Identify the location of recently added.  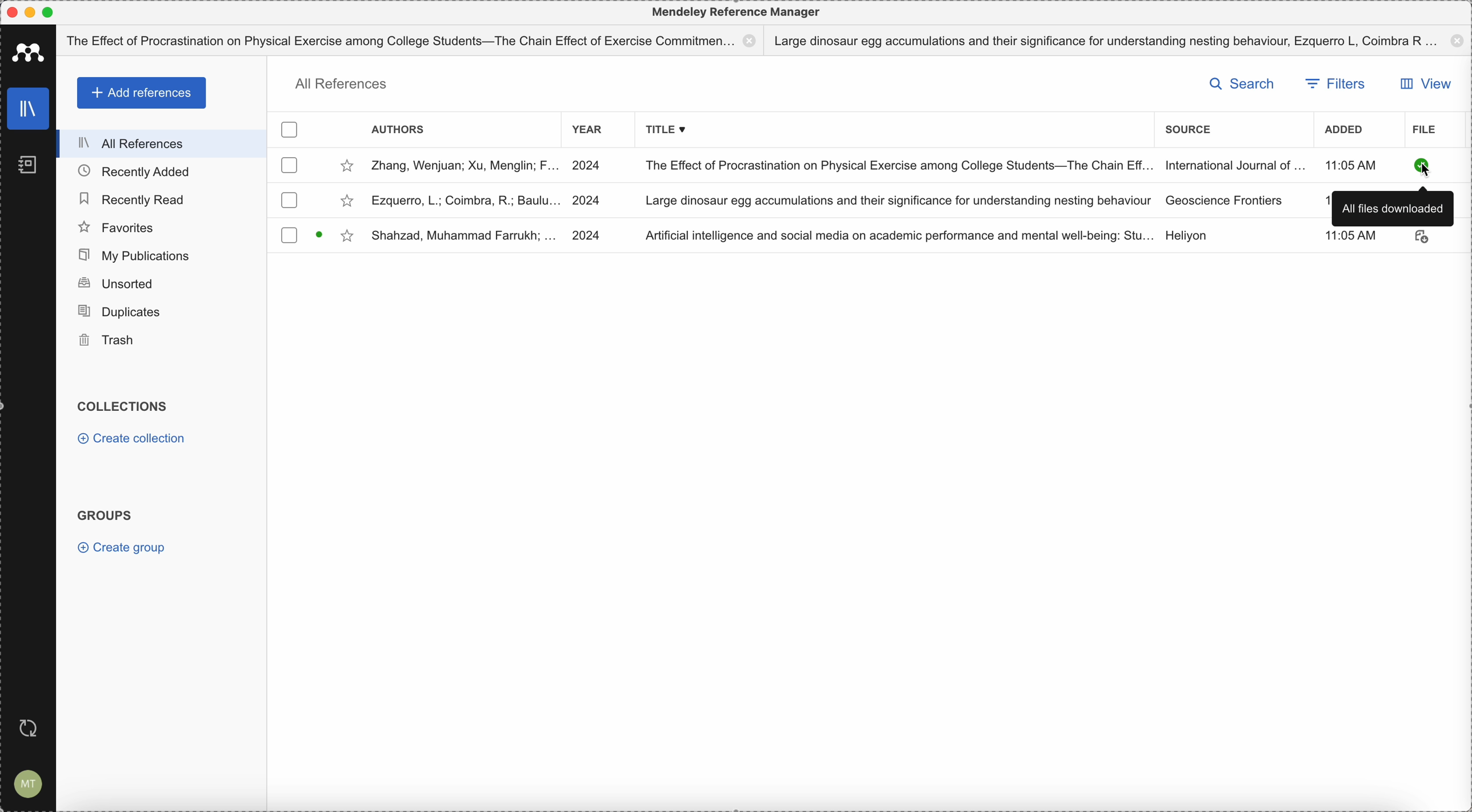
(137, 172).